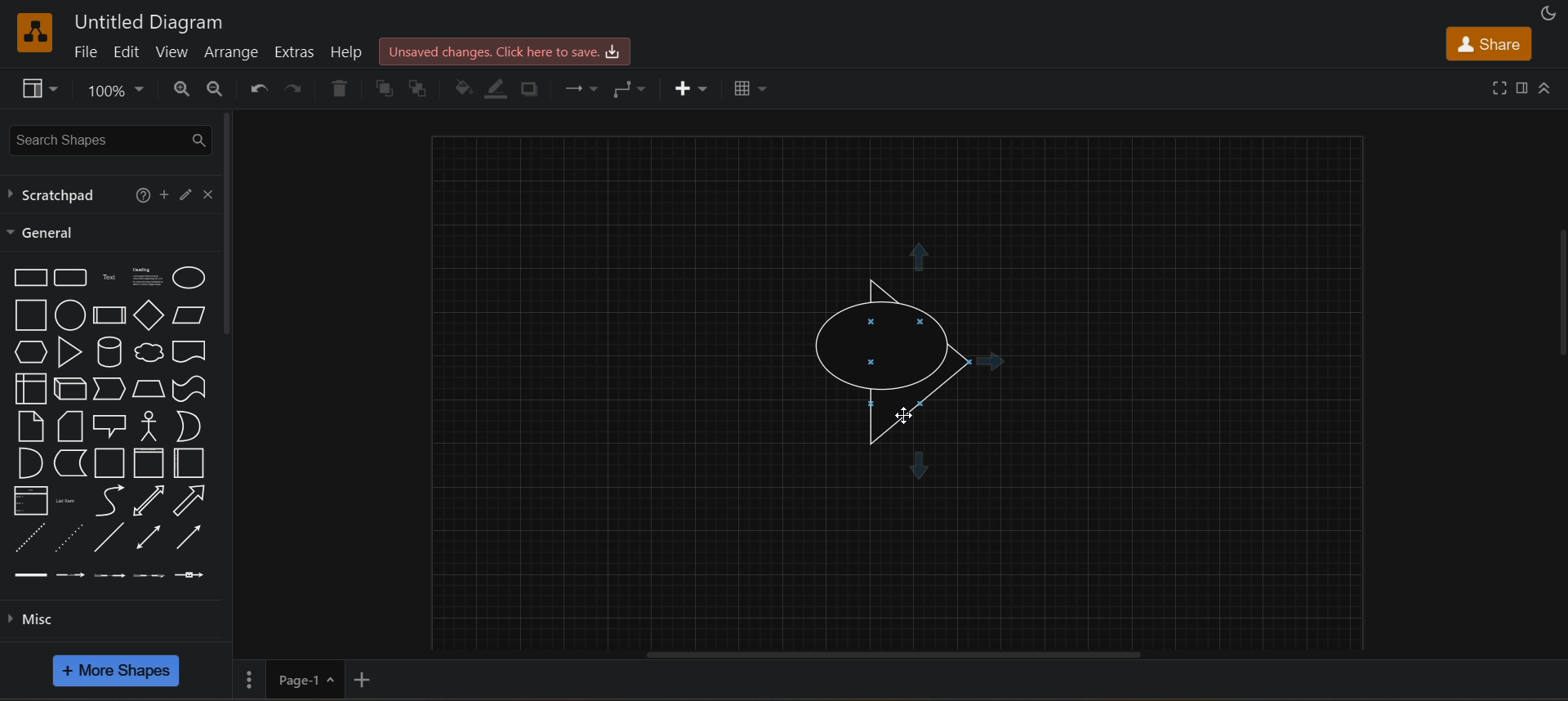 This screenshot has height=701, width=1568. I want to click on container, so click(147, 464).